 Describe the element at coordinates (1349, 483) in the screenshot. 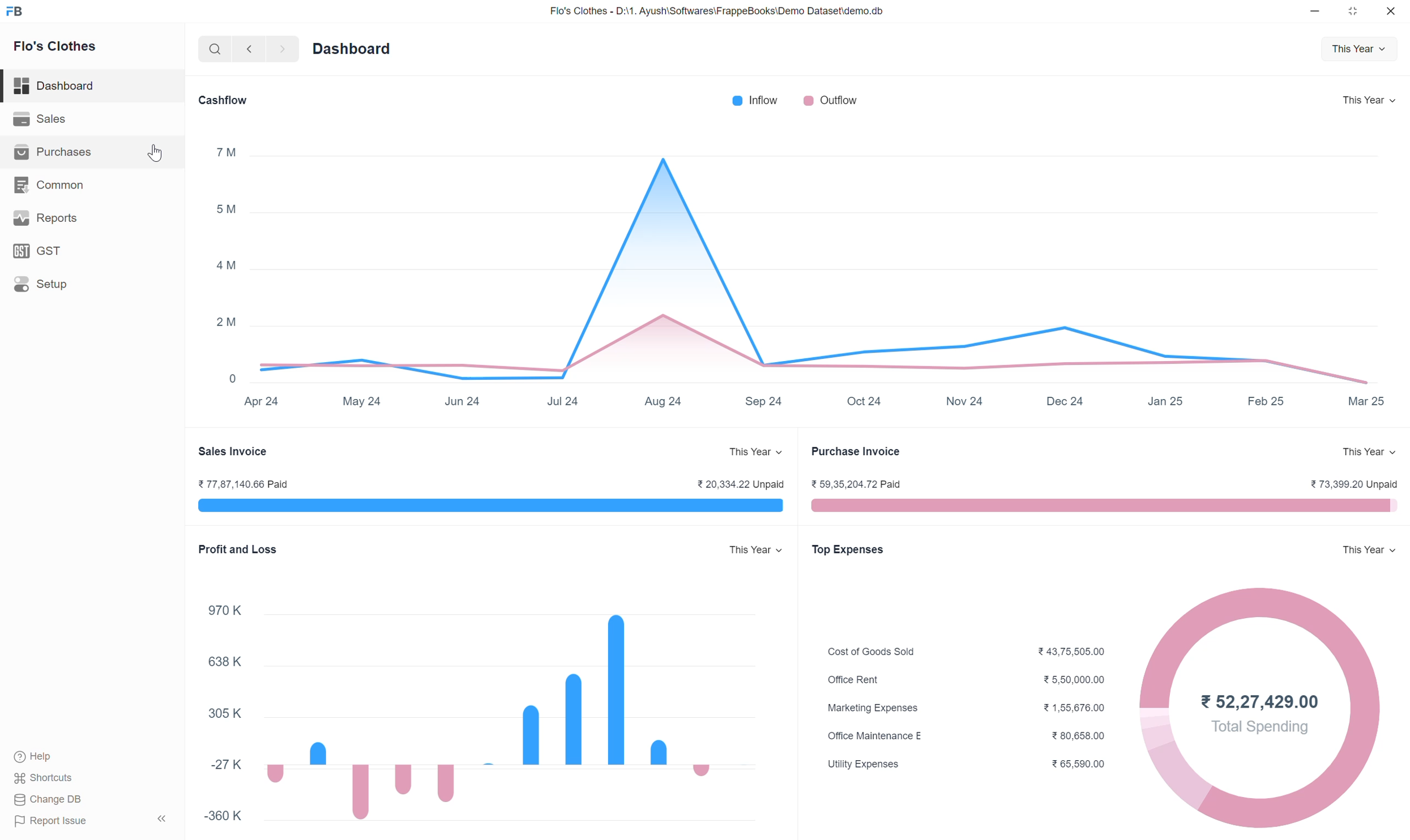

I see `¥ 73,399.20 Unpaid` at that location.